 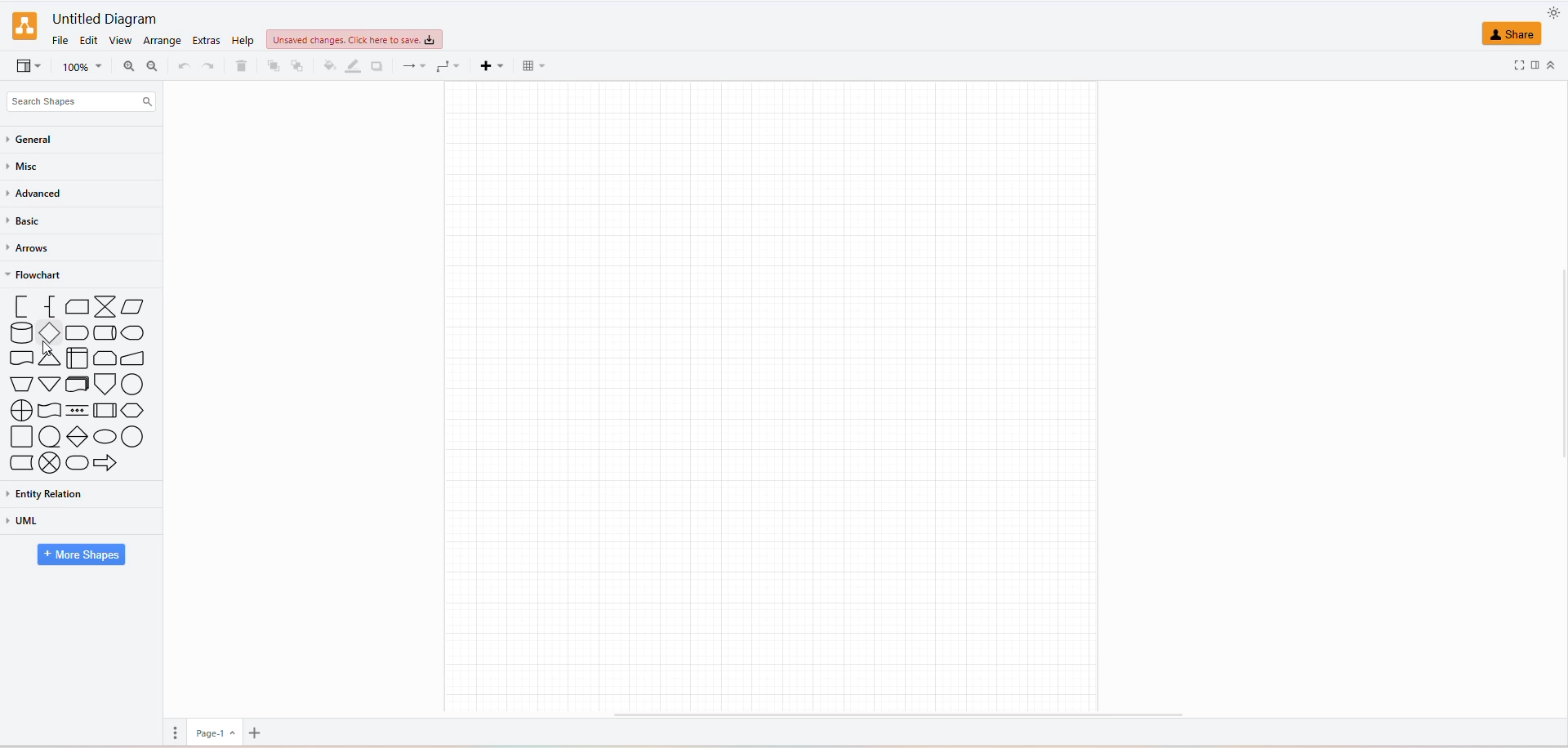 What do you see at coordinates (167, 39) in the screenshot?
I see `` at bounding box center [167, 39].